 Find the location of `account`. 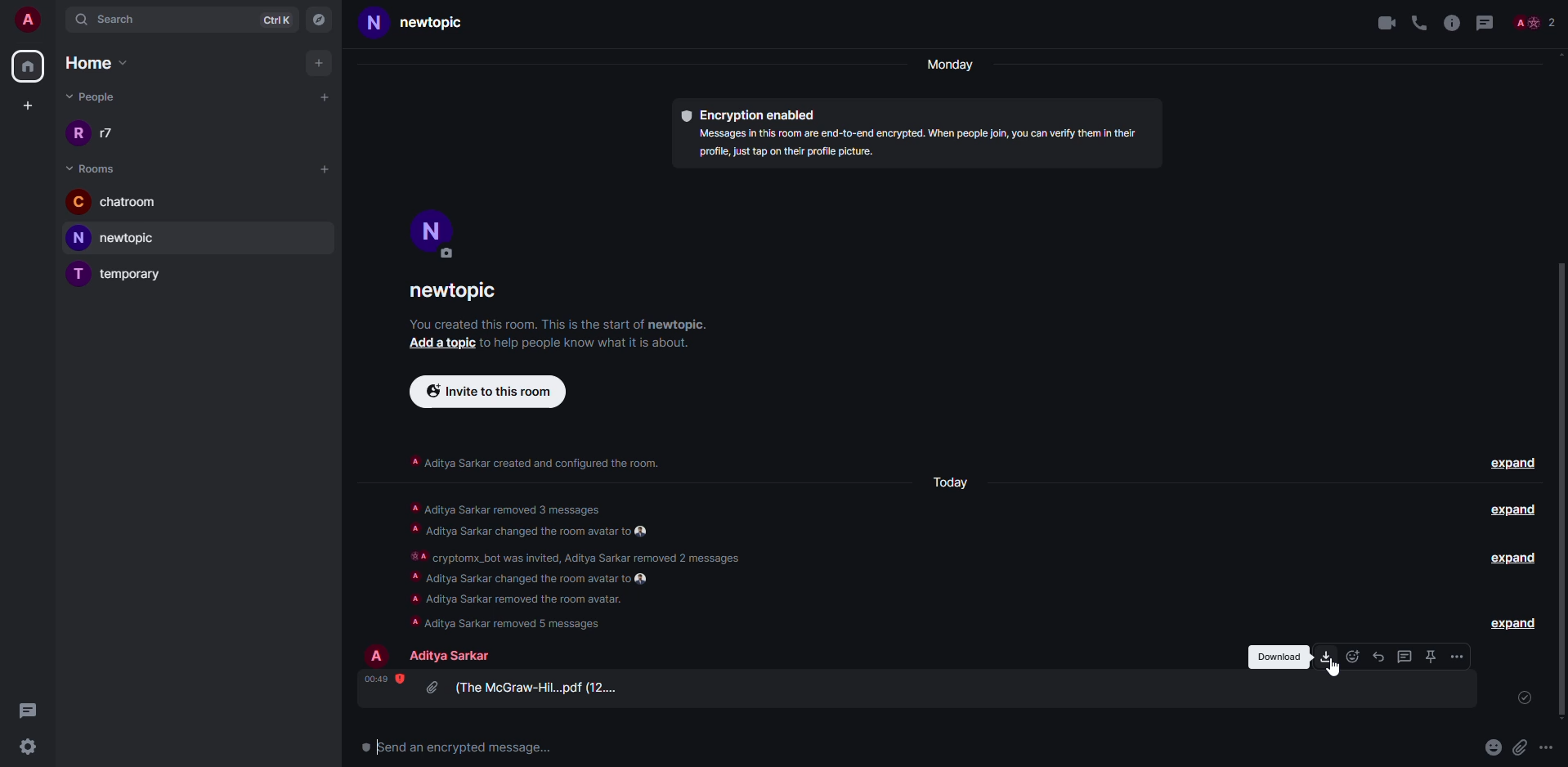

account is located at coordinates (25, 16).